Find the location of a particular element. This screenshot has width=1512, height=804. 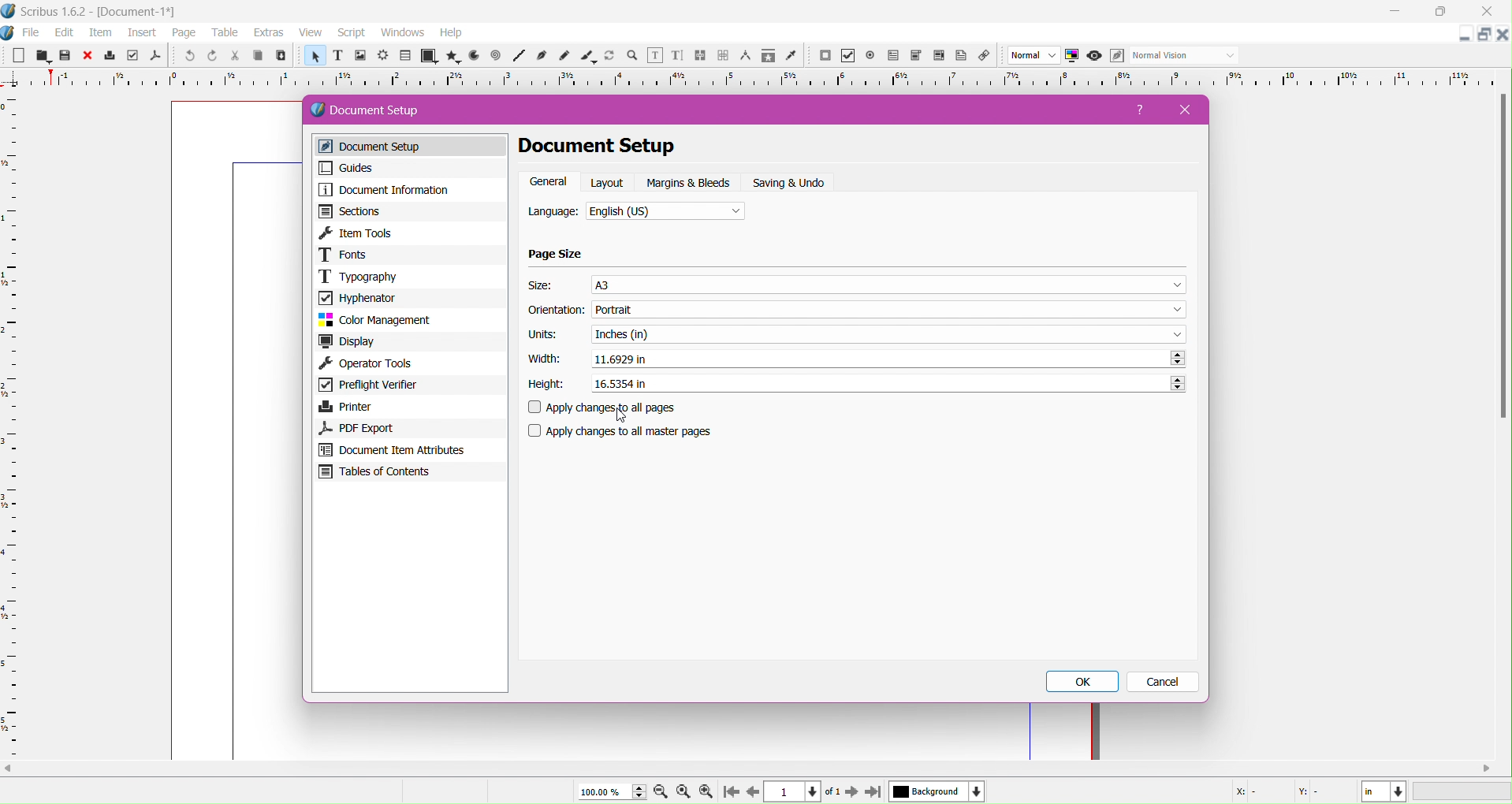

X:- Y:- is located at coordinates (1281, 791).